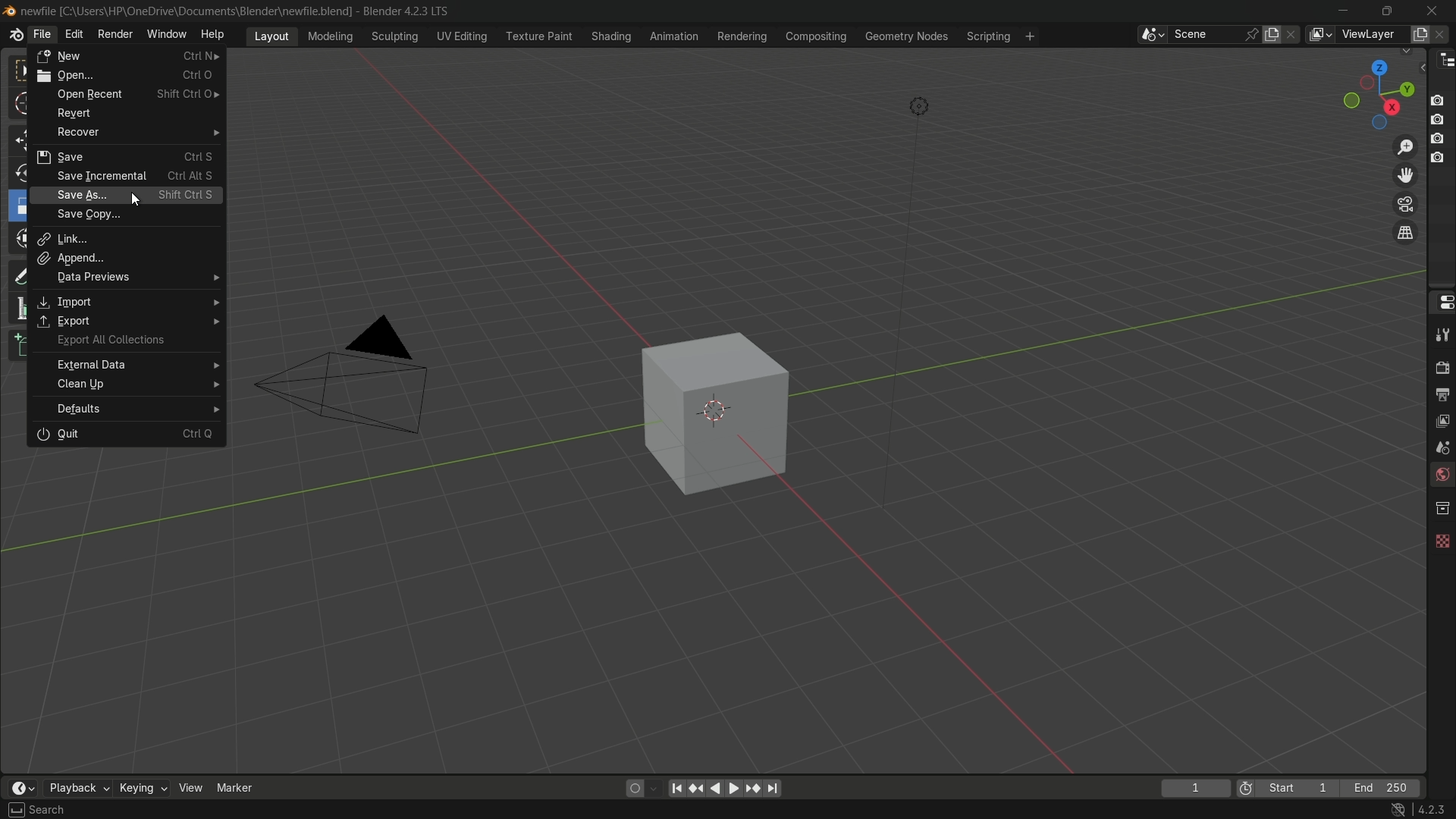 The width and height of the screenshot is (1456, 819). Describe the element at coordinates (1371, 35) in the screenshot. I see `view layer name` at that location.